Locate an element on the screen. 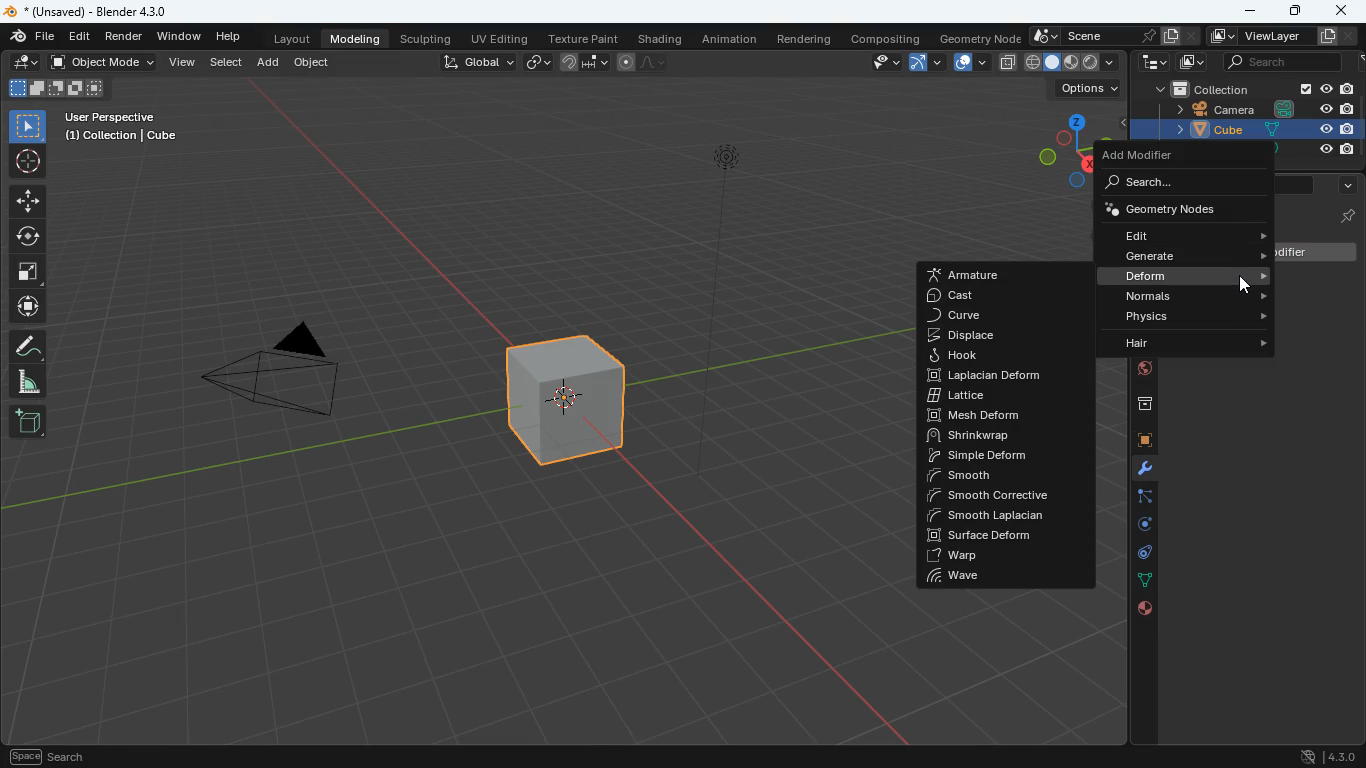 This screenshot has height=768, width=1366. edit is located at coordinates (1174, 237).